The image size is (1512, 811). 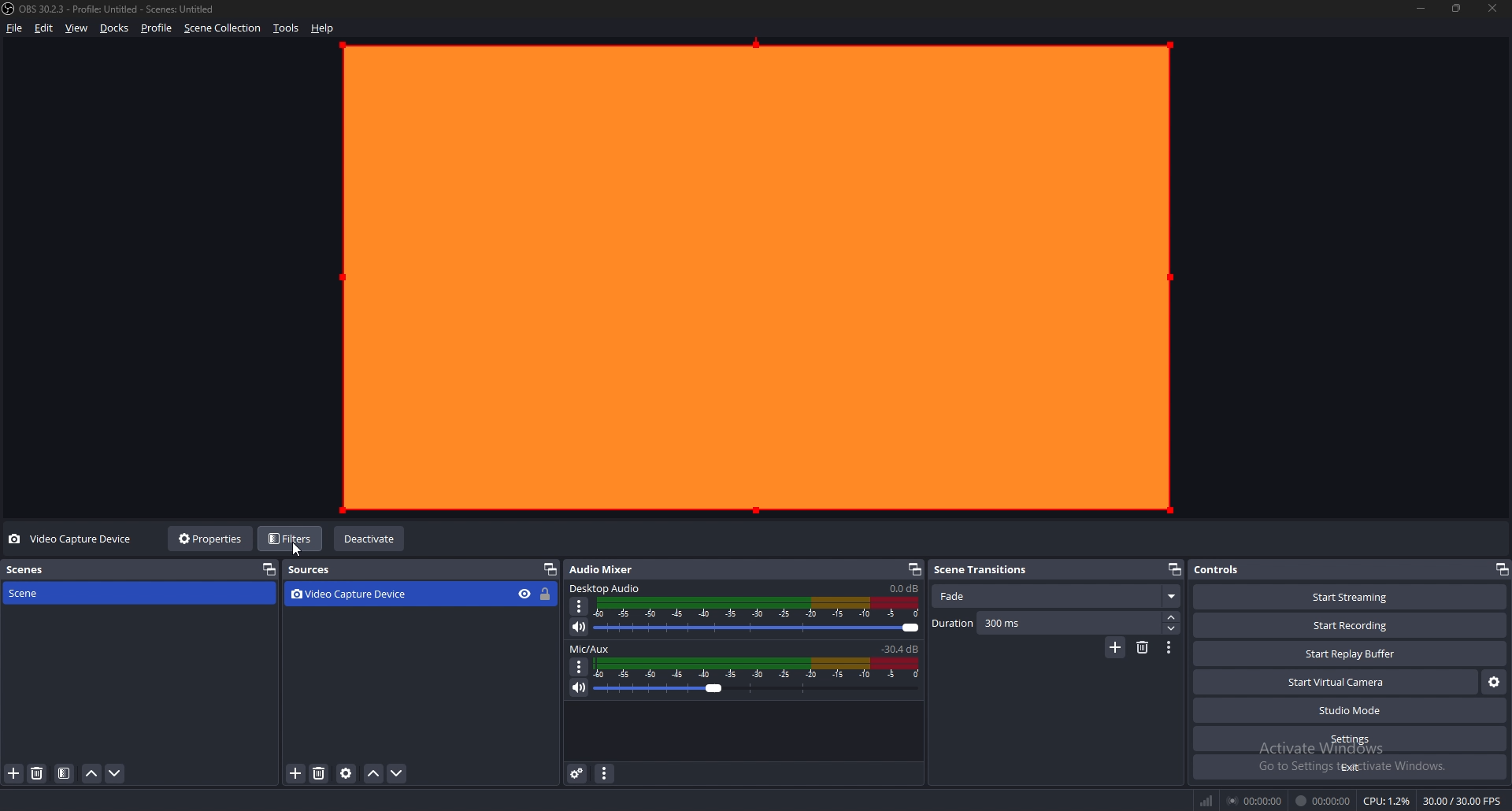 What do you see at coordinates (1322, 801) in the screenshot?
I see ` 00:00:00` at bounding box center [1322, 801].